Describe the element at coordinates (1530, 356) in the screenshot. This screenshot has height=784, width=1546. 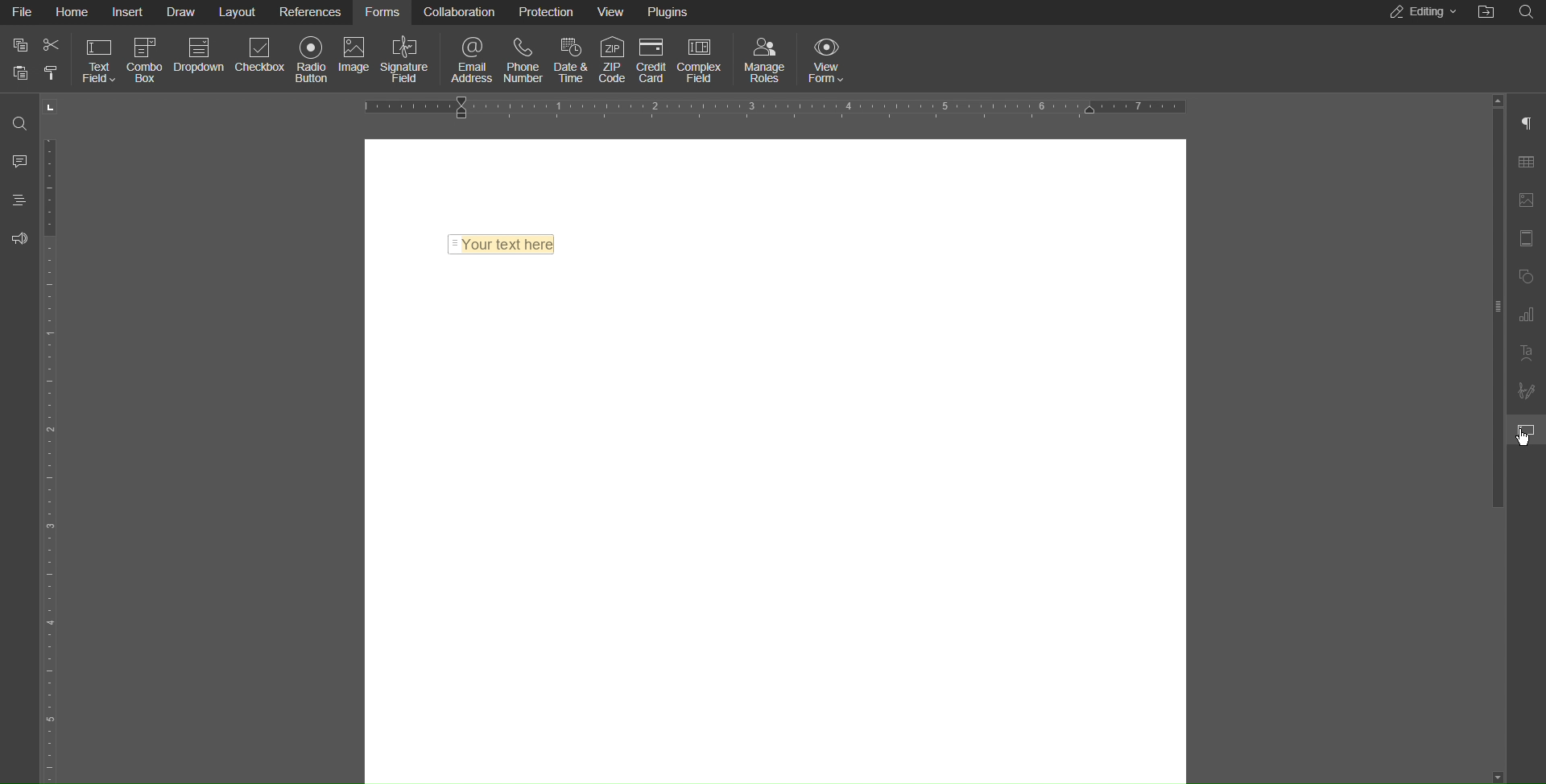
I see `Text Art` at that location.